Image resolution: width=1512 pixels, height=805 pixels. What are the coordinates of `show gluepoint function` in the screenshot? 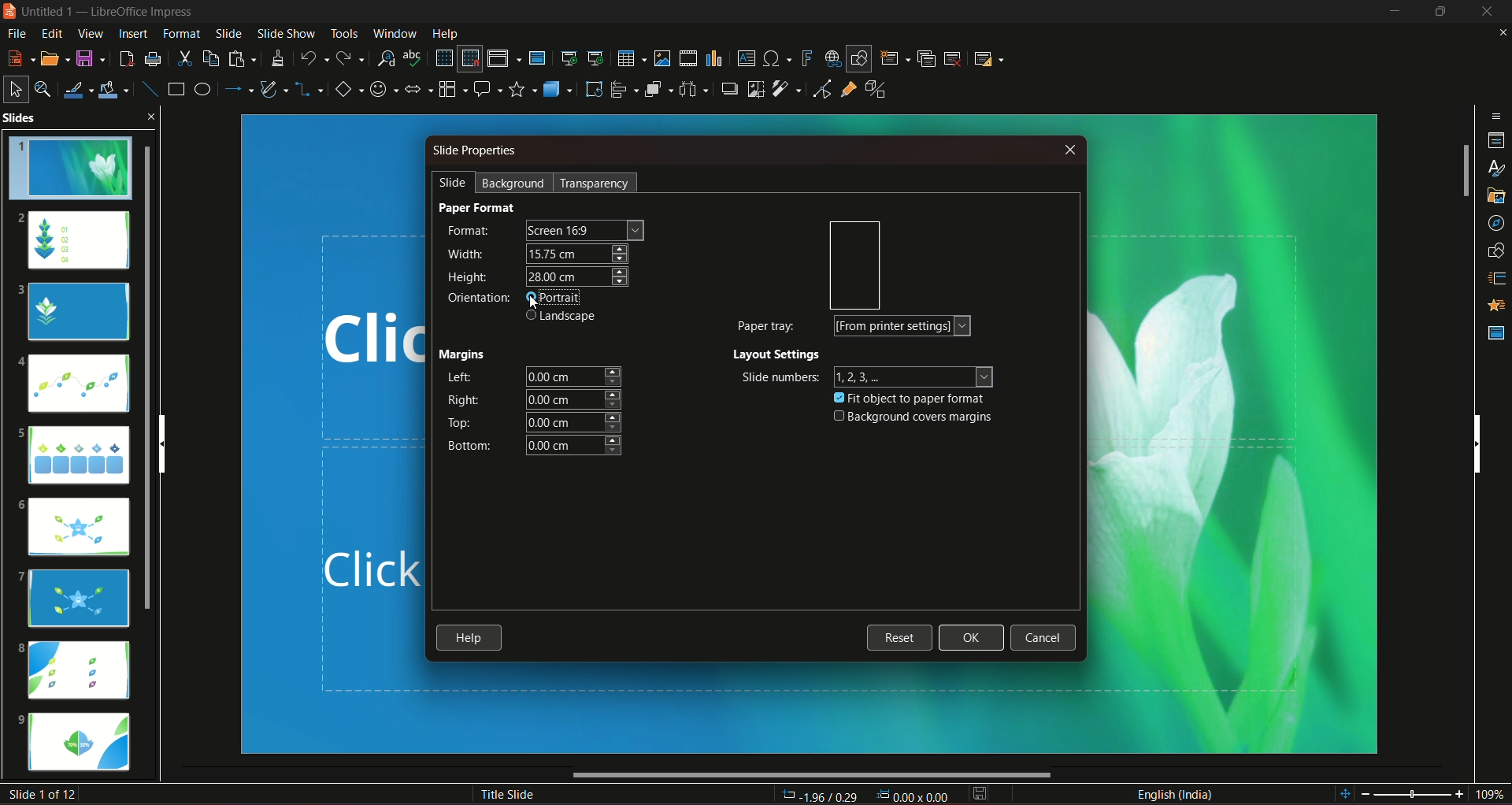 It's located at (848, 91).